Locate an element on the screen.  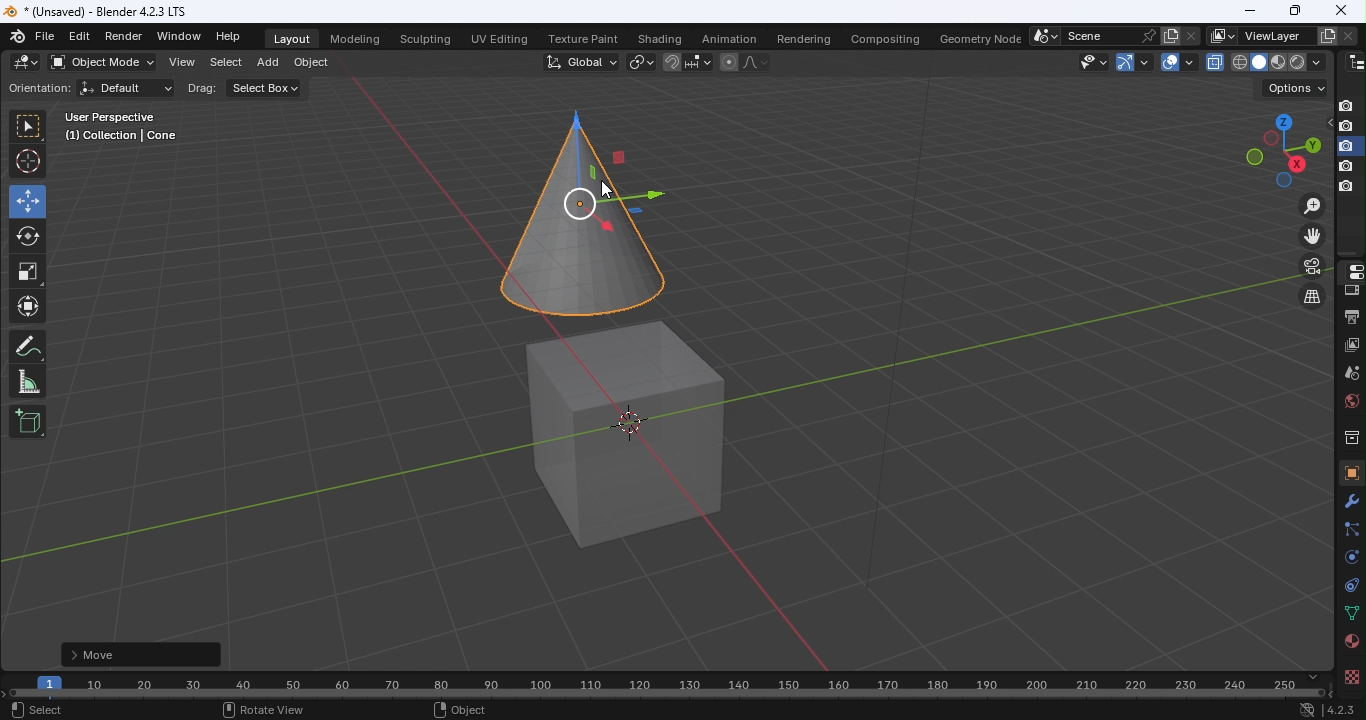
The active workspace view layer showing in the window is located at coordinates (1222, 36).